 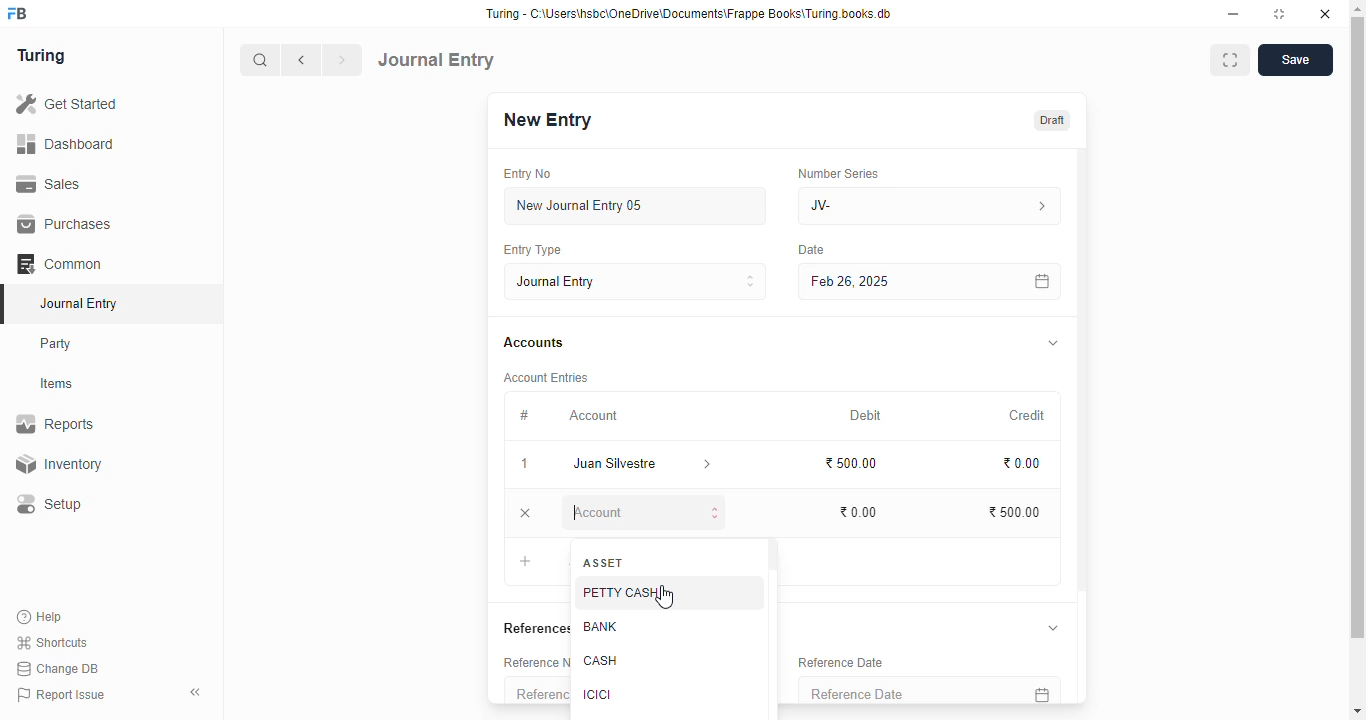 I want to click on remove, so click(x=525, y=513).